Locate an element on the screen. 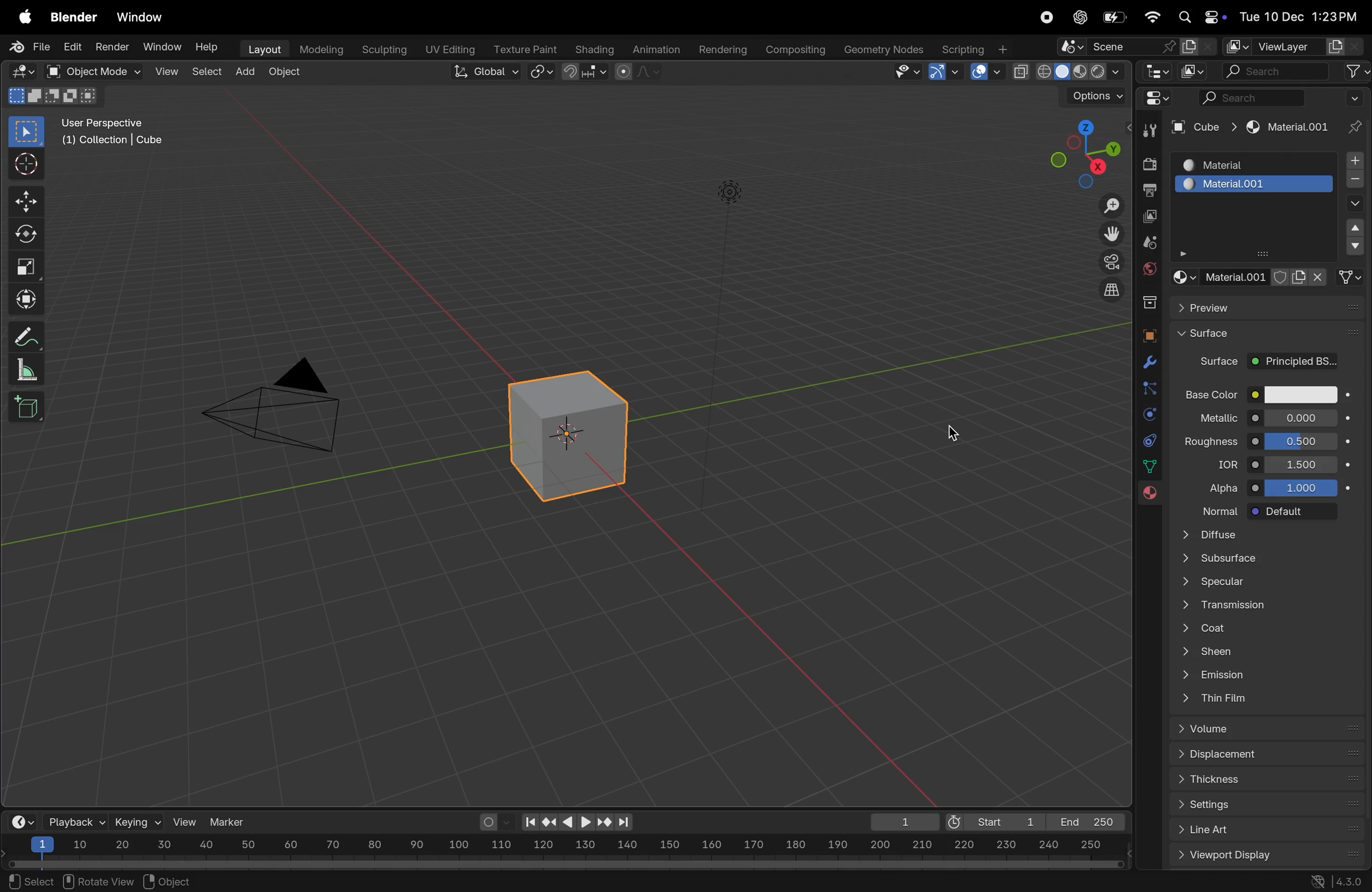 The image size is (1372, 892). light is located at coordinates (730, 190).